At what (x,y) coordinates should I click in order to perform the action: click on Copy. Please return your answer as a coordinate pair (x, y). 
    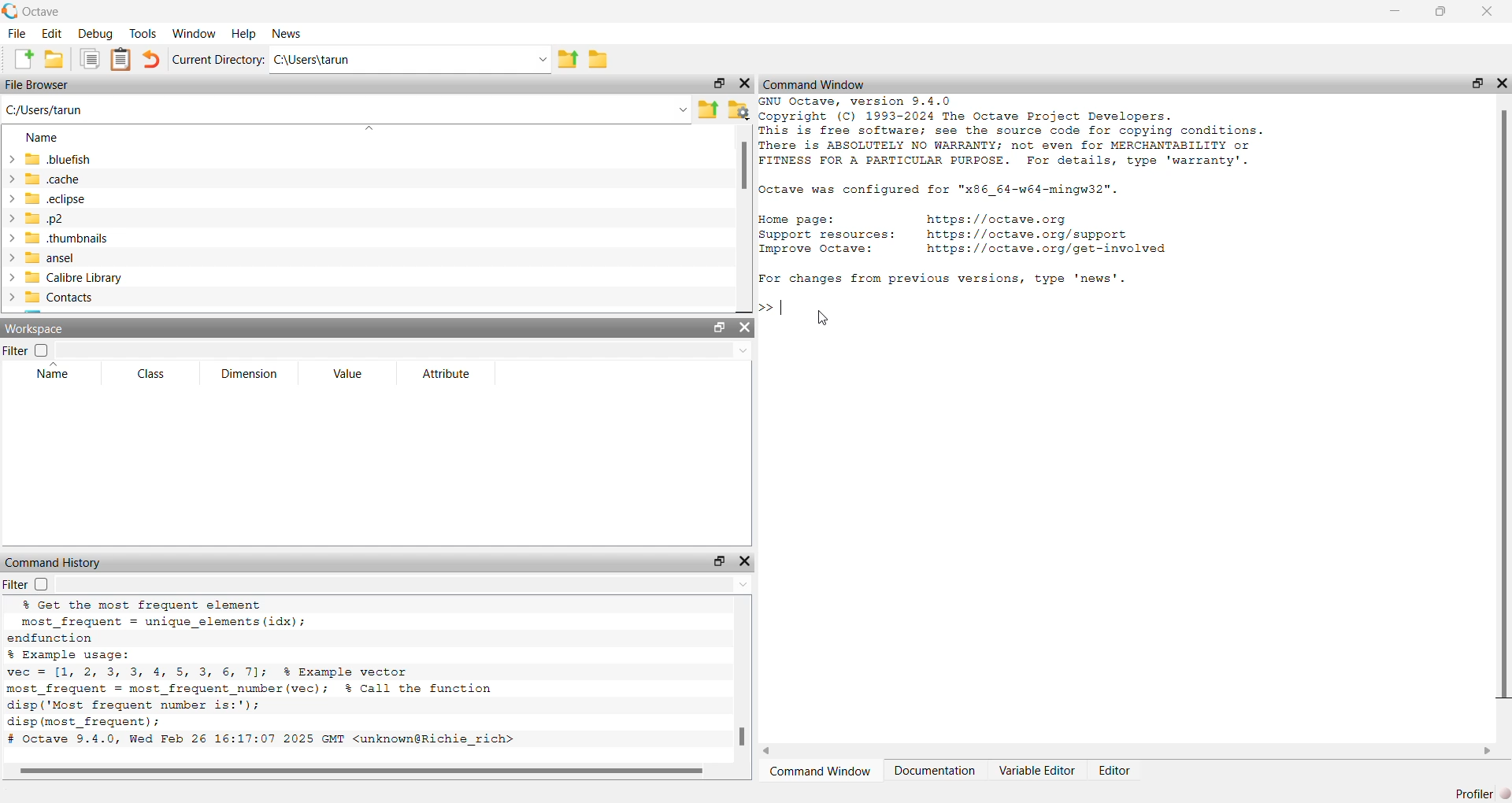
    Looking at the image, I should click on (89, 59).